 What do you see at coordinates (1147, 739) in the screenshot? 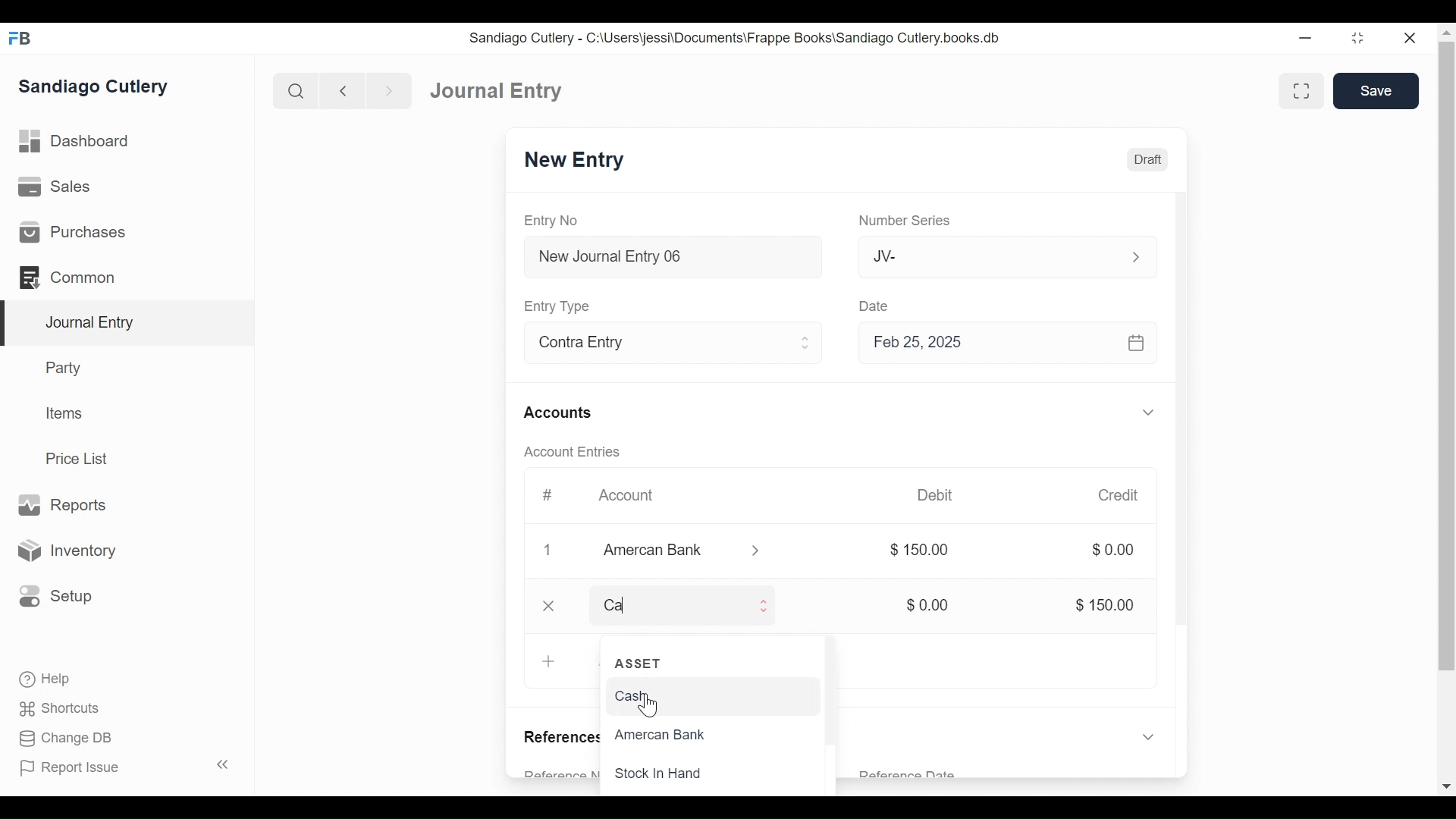
I see `Expand` at bounding box center [1147, 739].